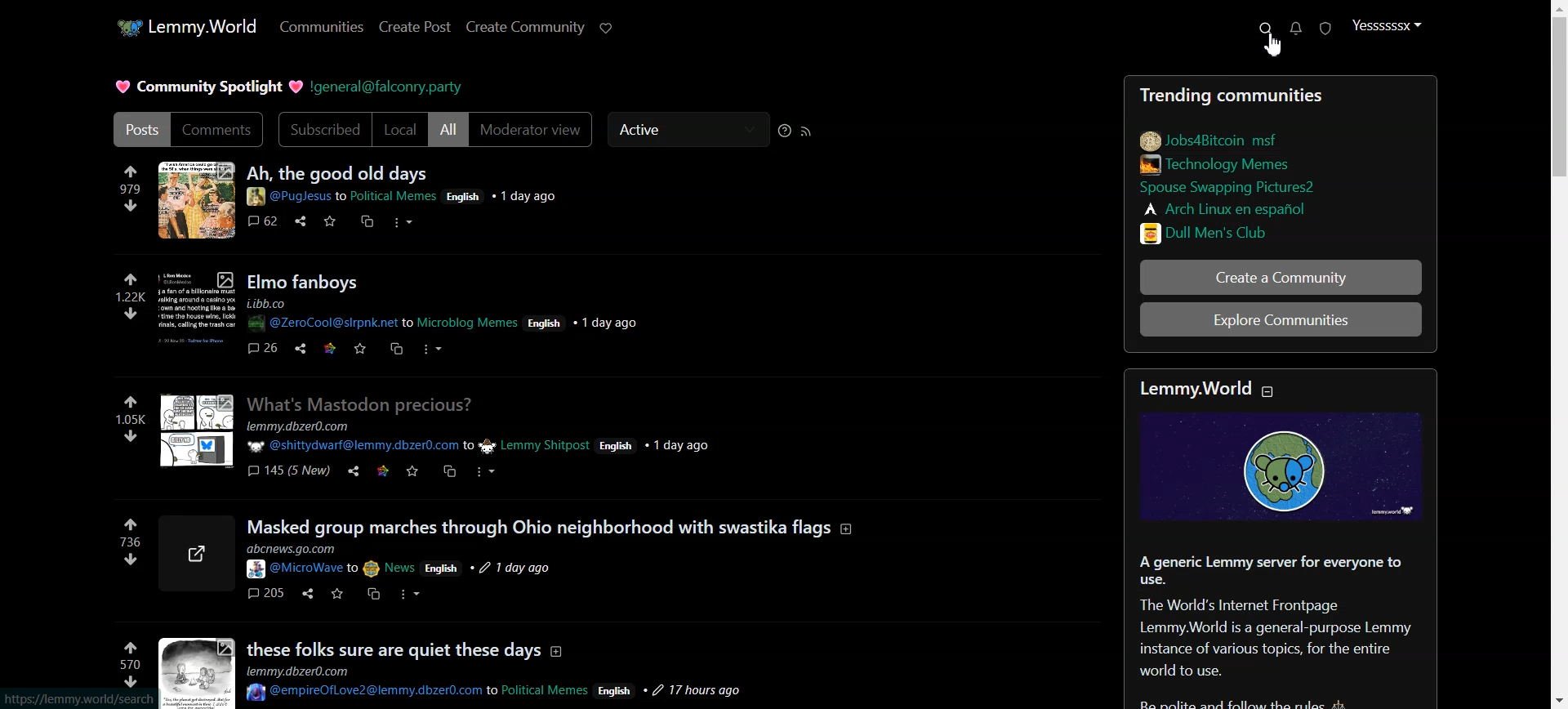 Image resolution: width=1568 pixels, height=709 pixels. What do you see at coordinates (330, 347) in the screenshot?
I see `link` at bounding box center [330, 347].